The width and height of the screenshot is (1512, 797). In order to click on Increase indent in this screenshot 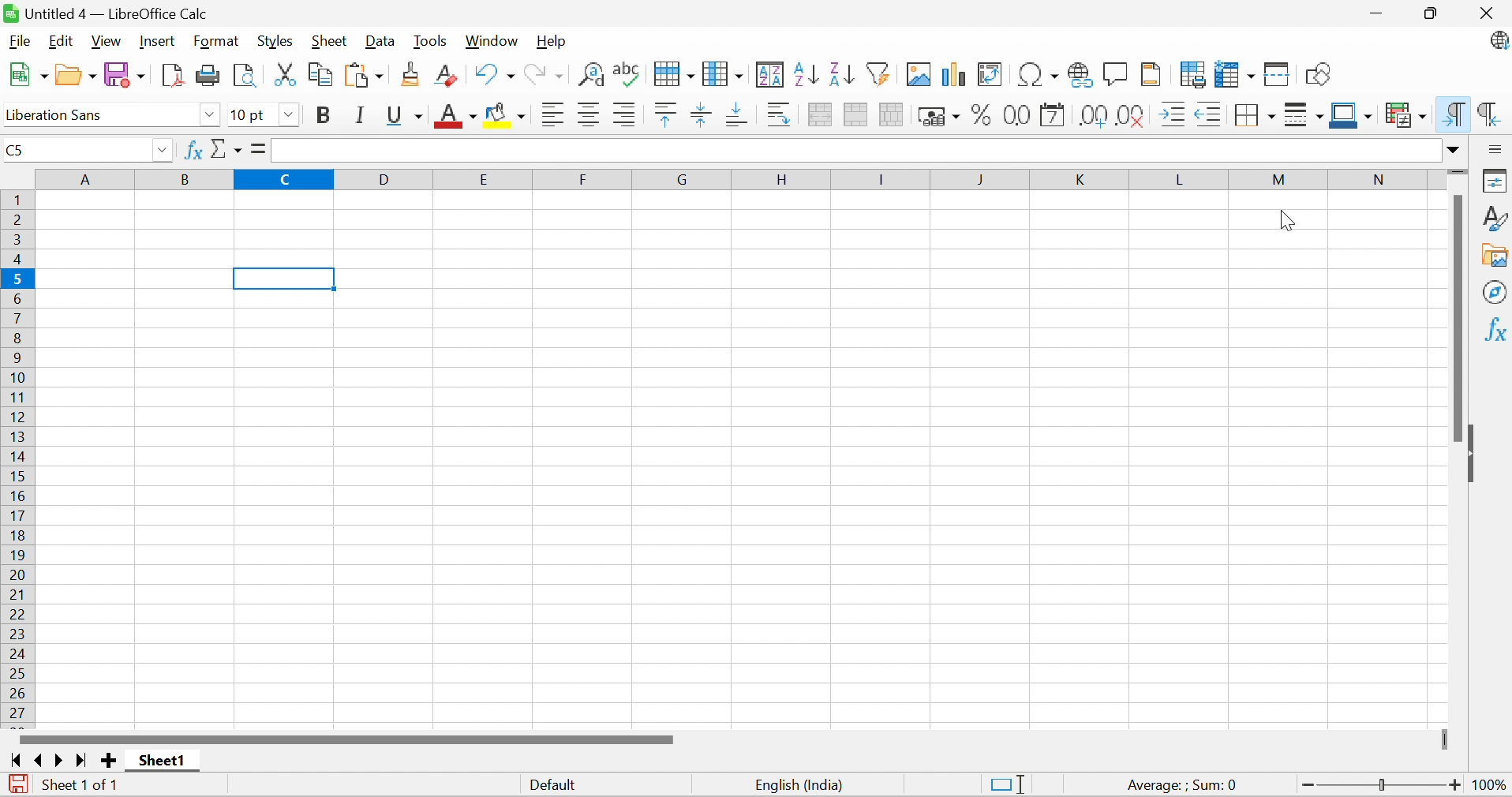, I will do `click(1173, 114)`.